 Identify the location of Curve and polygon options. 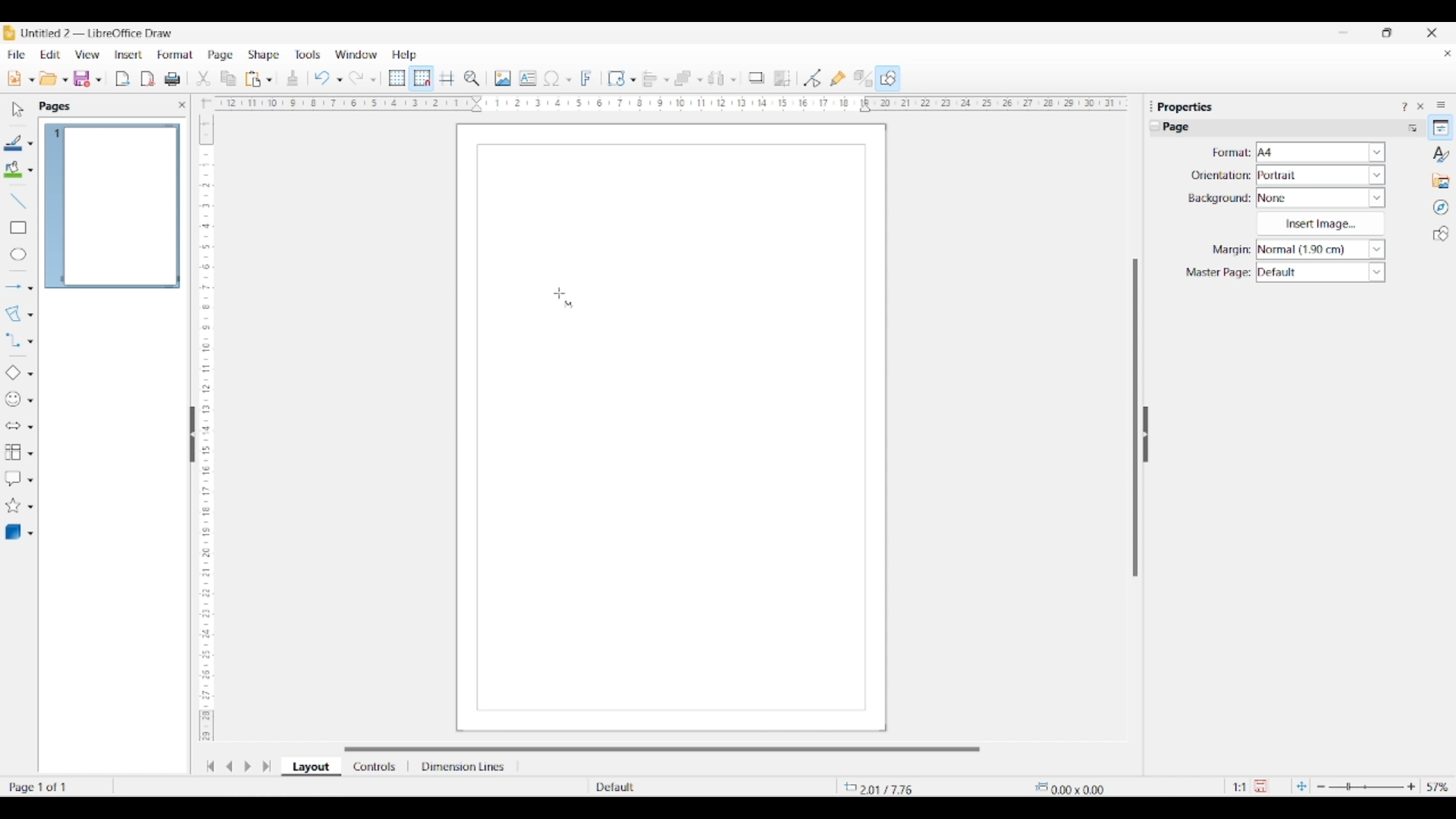
(30, 315).